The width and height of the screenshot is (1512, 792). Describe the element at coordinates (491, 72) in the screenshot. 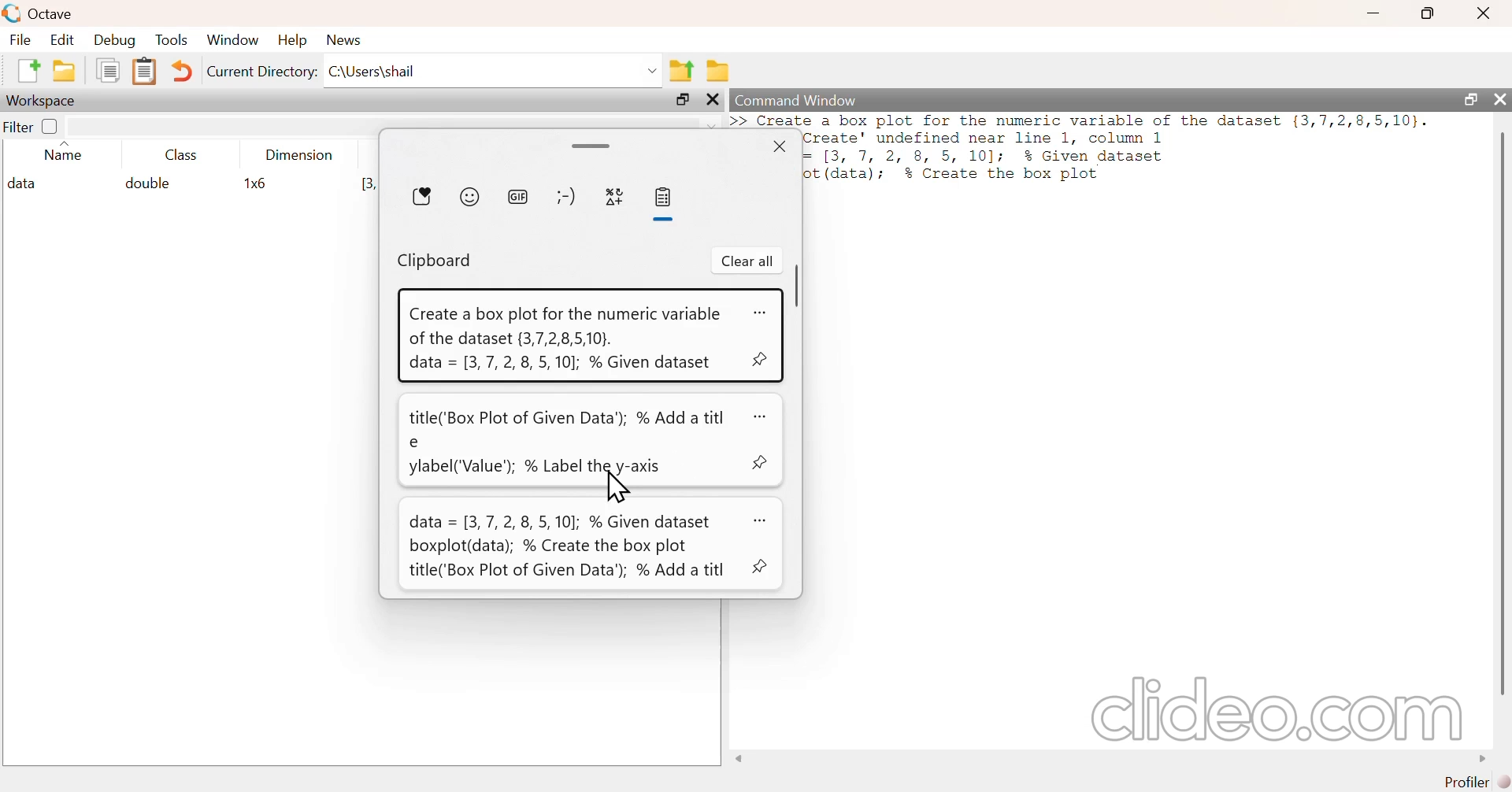

I see `enter directory name` at that location.